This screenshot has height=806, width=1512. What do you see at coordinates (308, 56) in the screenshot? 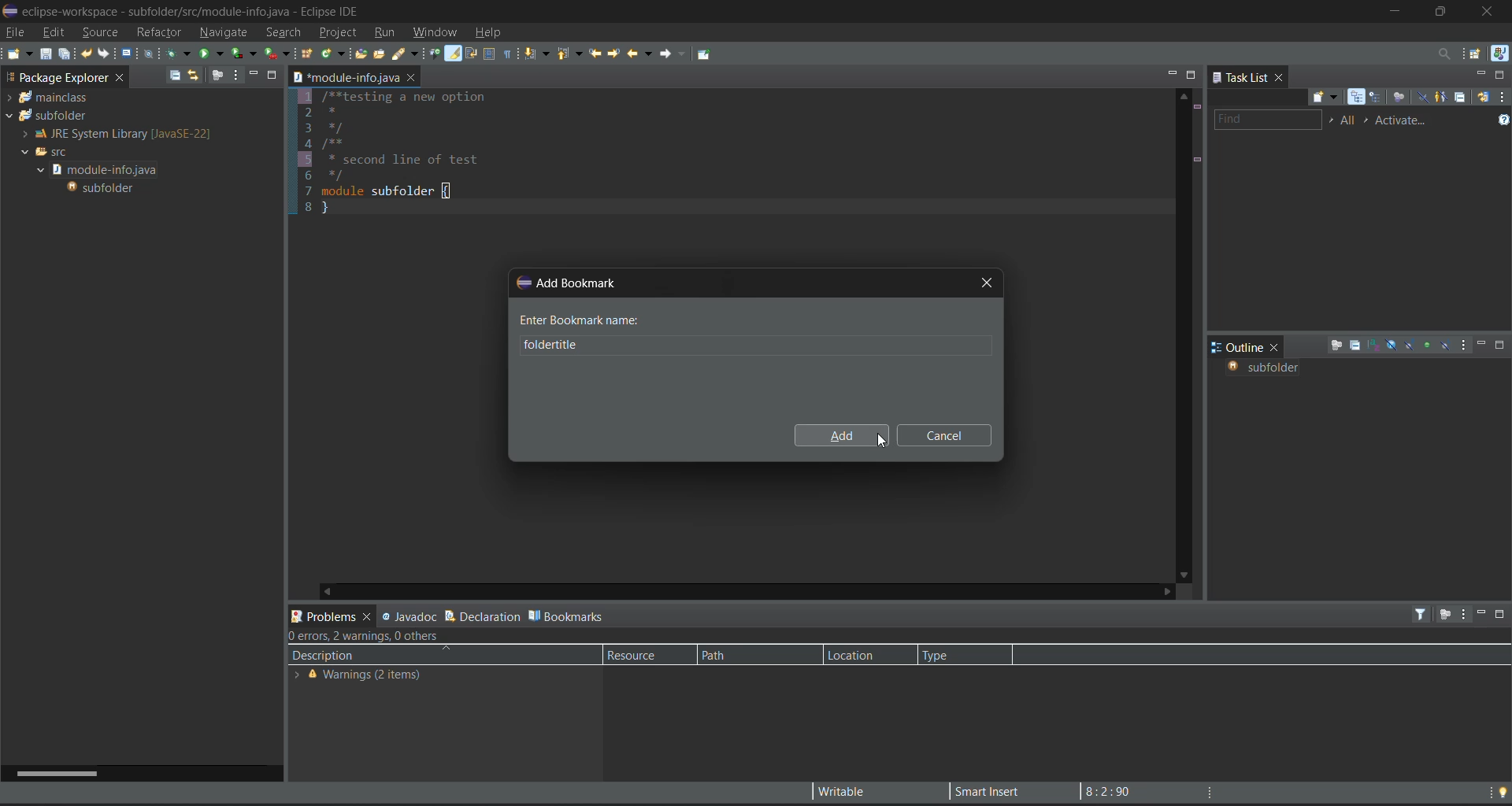
I see `new java package` at bounding box center [308, 56].